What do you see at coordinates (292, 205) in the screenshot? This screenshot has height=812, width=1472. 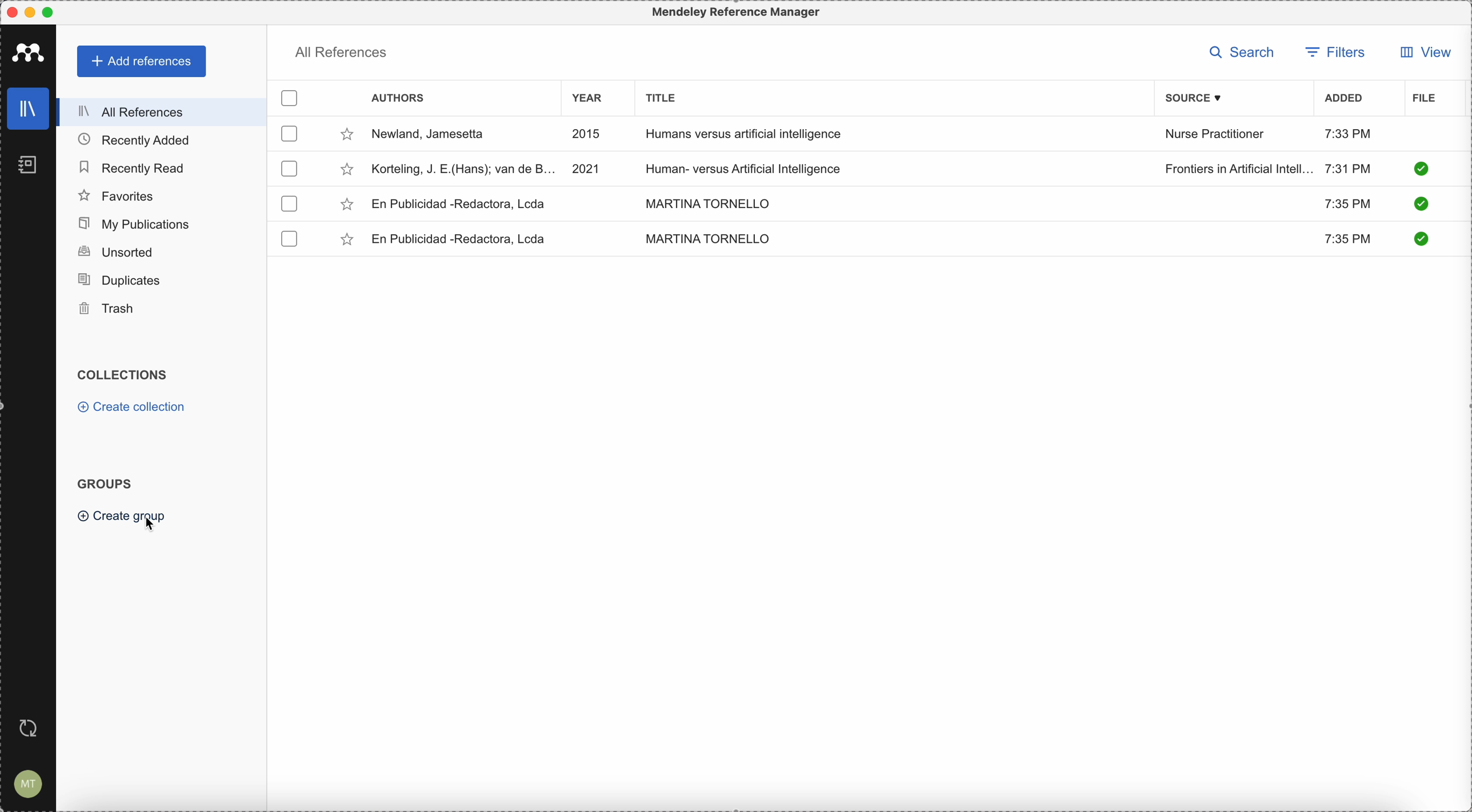 I see `checkbox` at bounding box center [292, 205].